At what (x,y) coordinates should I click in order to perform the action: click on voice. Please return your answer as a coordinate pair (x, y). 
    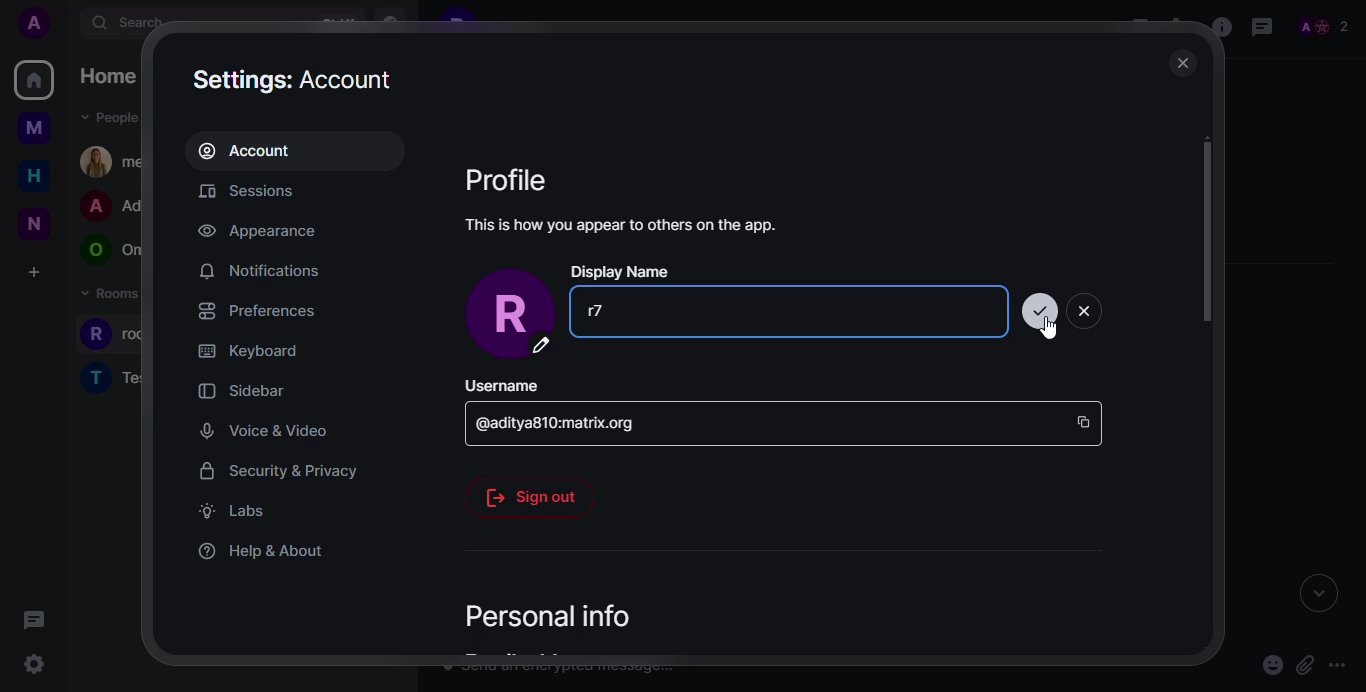
    Looking at the image, I should click on (263, 429).